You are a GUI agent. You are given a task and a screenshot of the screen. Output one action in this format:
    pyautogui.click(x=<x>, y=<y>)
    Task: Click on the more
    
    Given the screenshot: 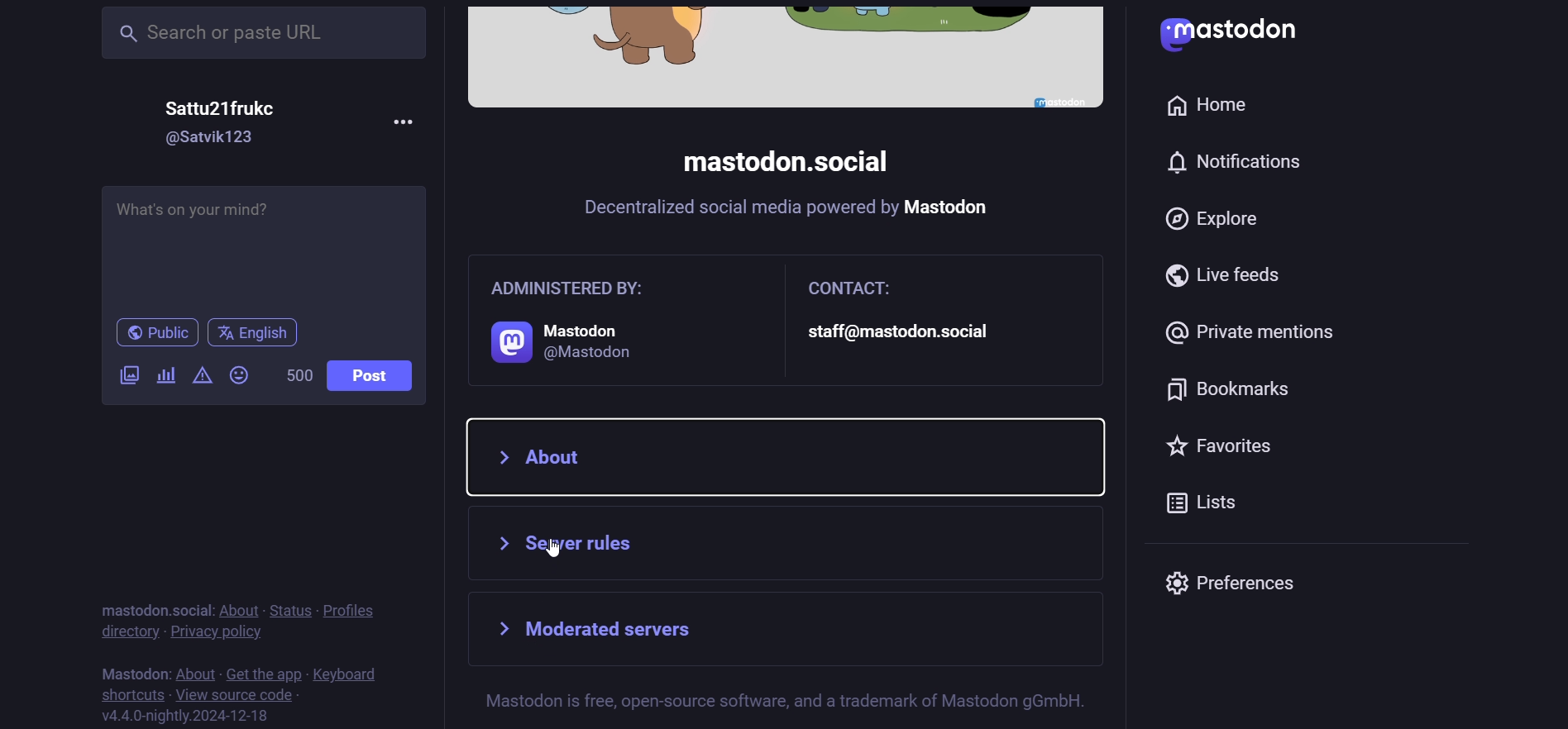 What is the action you would take?
    pyautogui.click(x=404, y=119)
    